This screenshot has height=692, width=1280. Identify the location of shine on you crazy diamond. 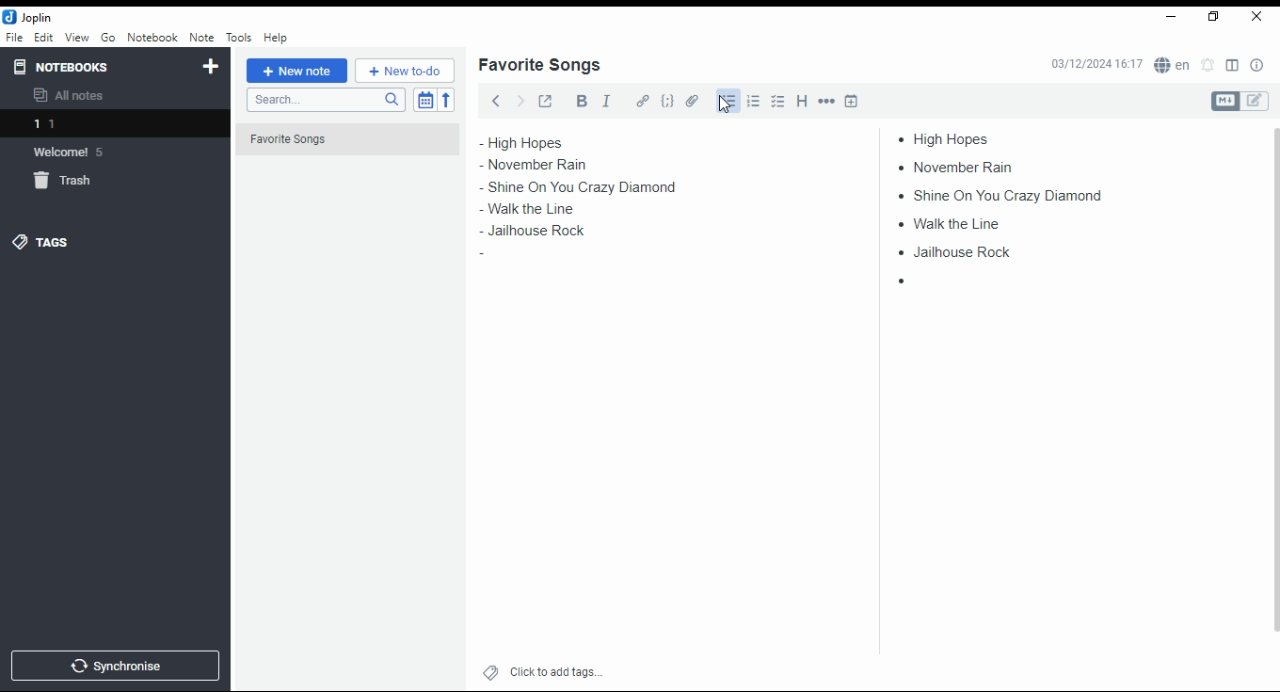
(584, 185).